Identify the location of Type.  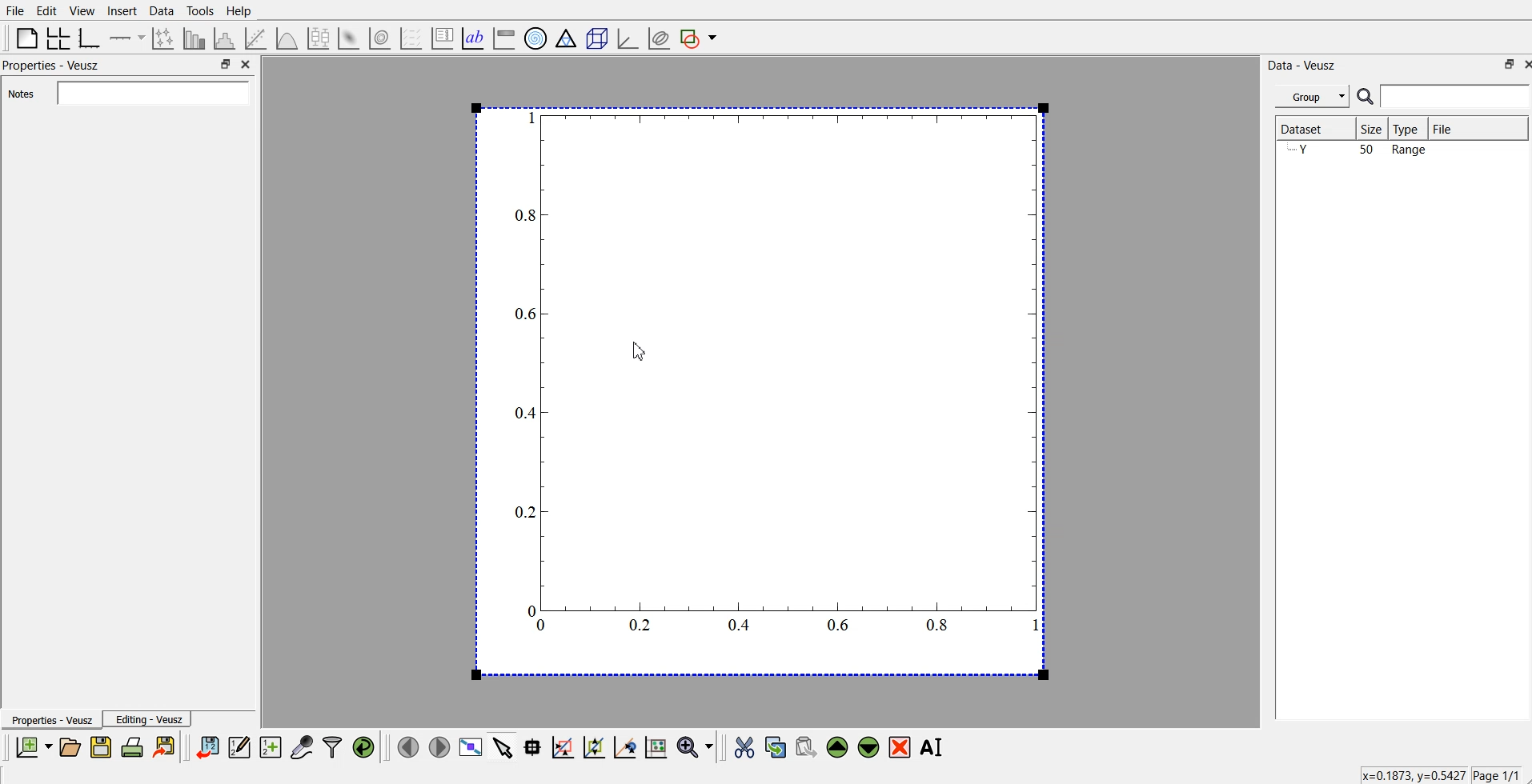
(1410, 128).